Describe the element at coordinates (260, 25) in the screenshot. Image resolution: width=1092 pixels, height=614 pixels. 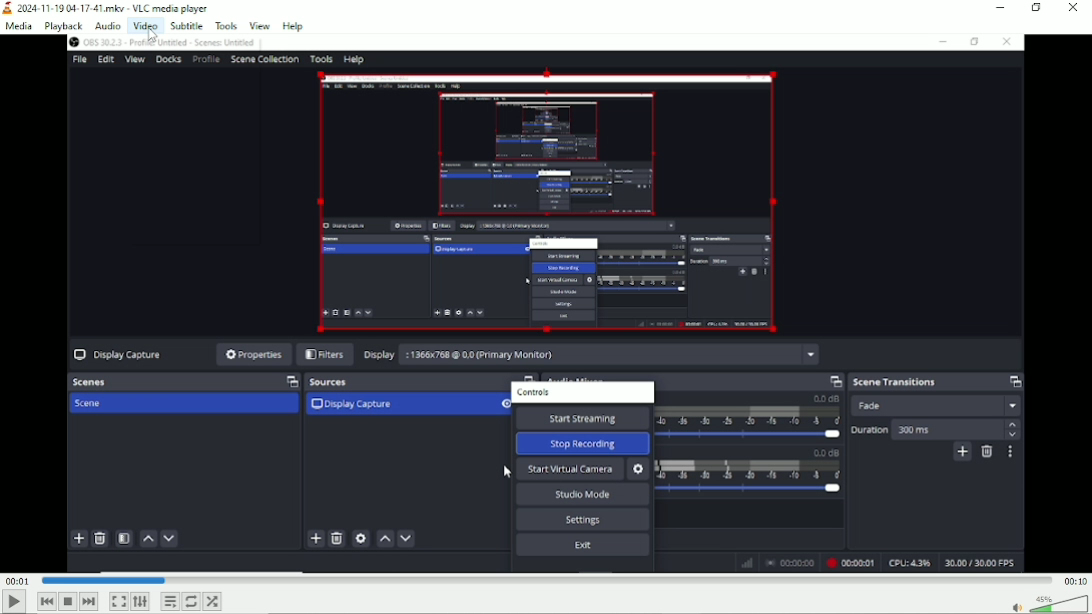
I see `view` at that location.